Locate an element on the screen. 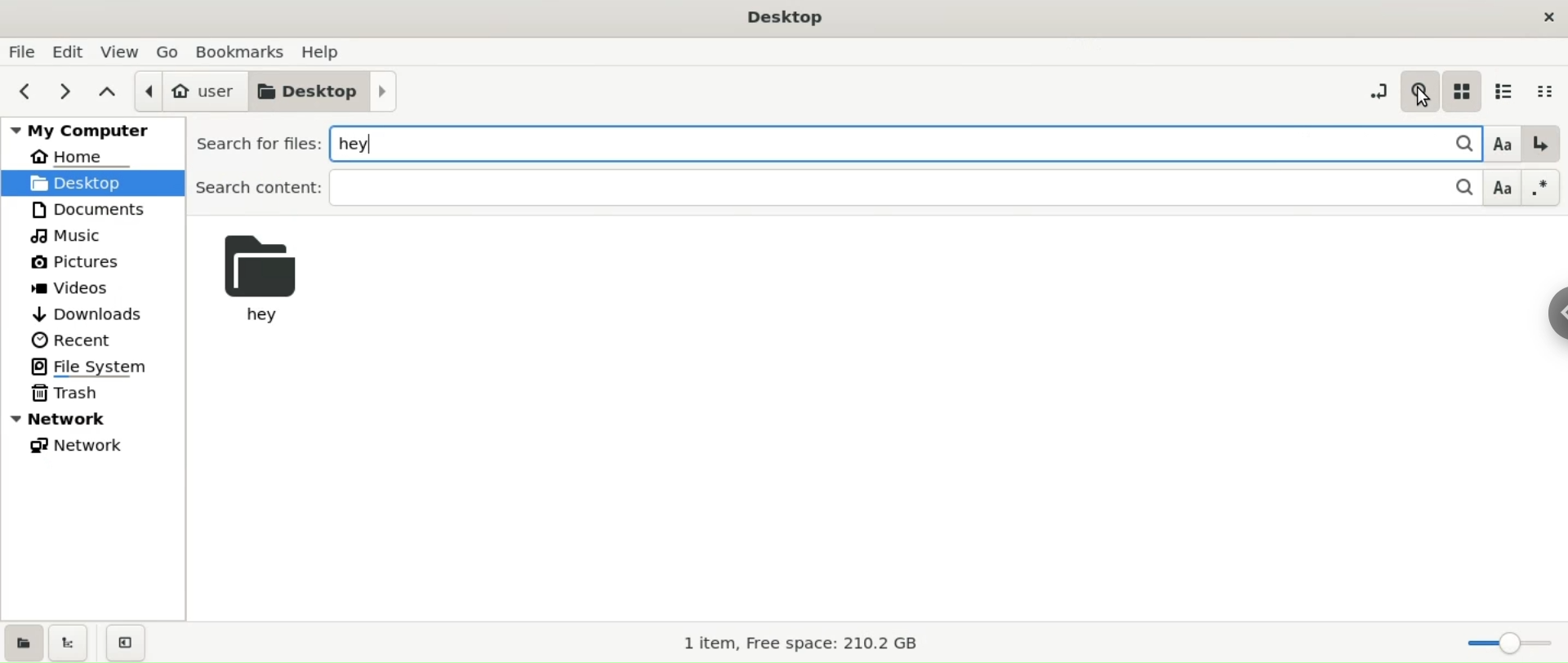 This screenshot has width=1568, height=663. close sidebar is located at coordinates (124, 644).